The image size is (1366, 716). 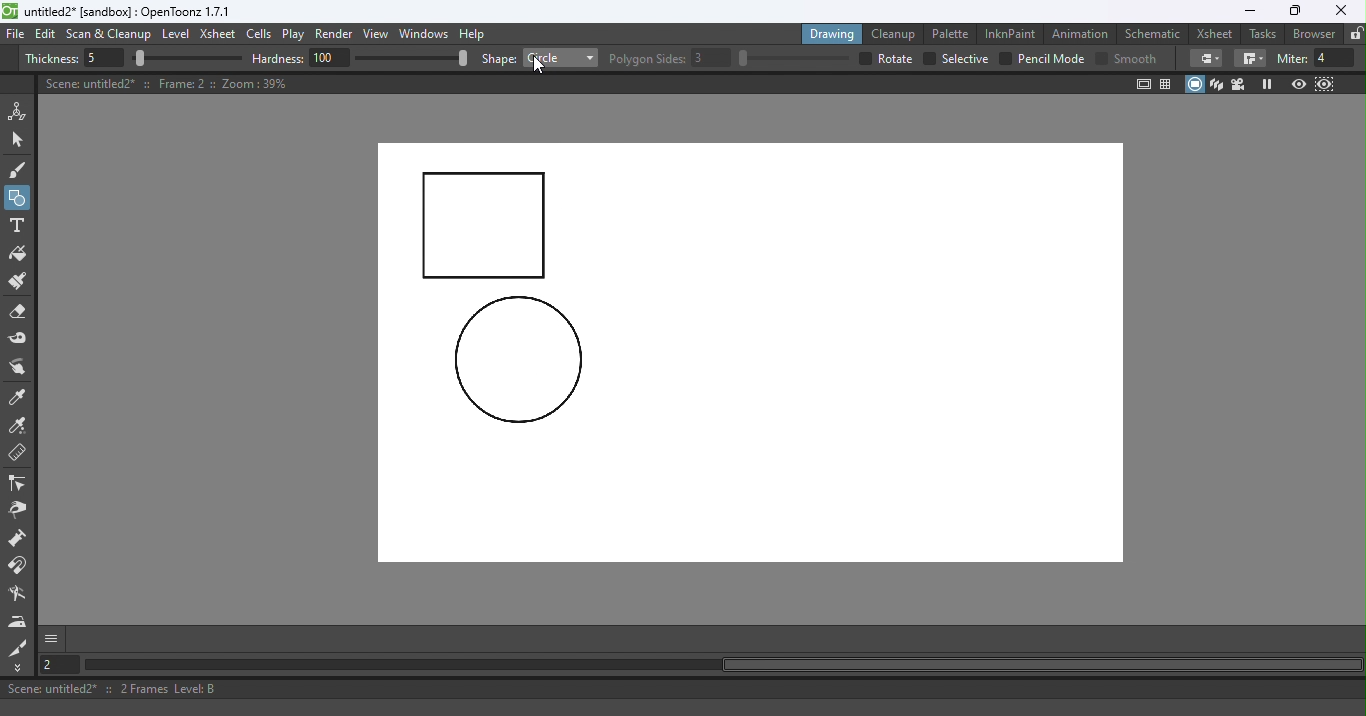 I want to click on slider, so click(x=793, y=58).